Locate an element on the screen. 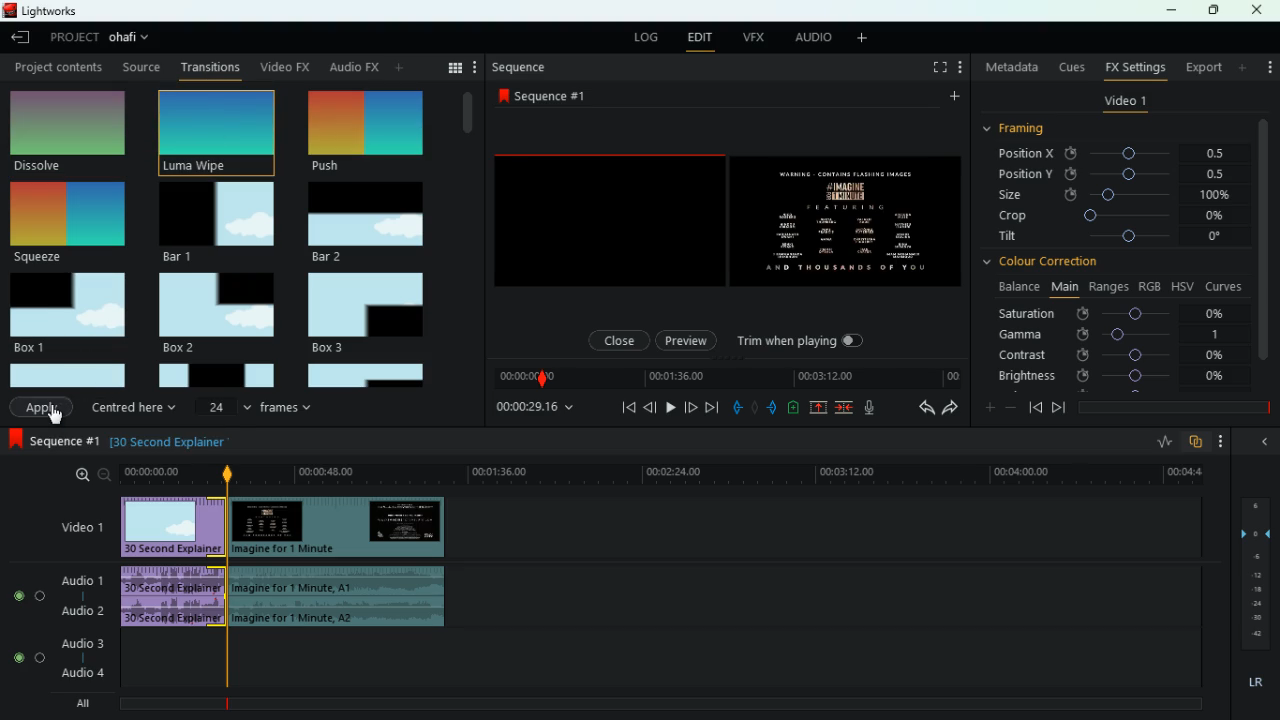 The height and width of the screenshot is (720, 1280). more is located at coordinates (1244, 67).